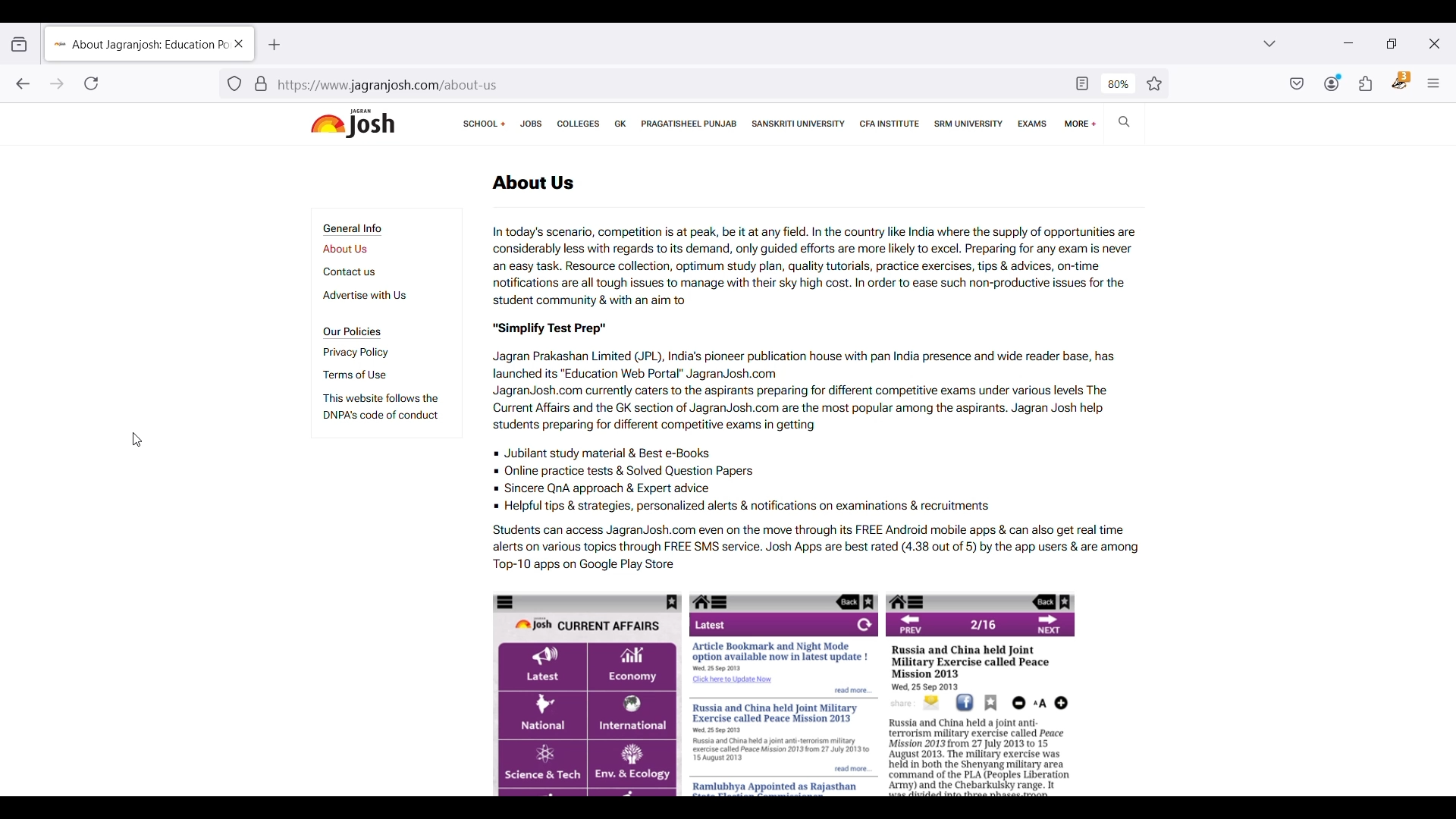 This screenshot has height=819, width=1456. I want to click on GK page, so click(620, 124).